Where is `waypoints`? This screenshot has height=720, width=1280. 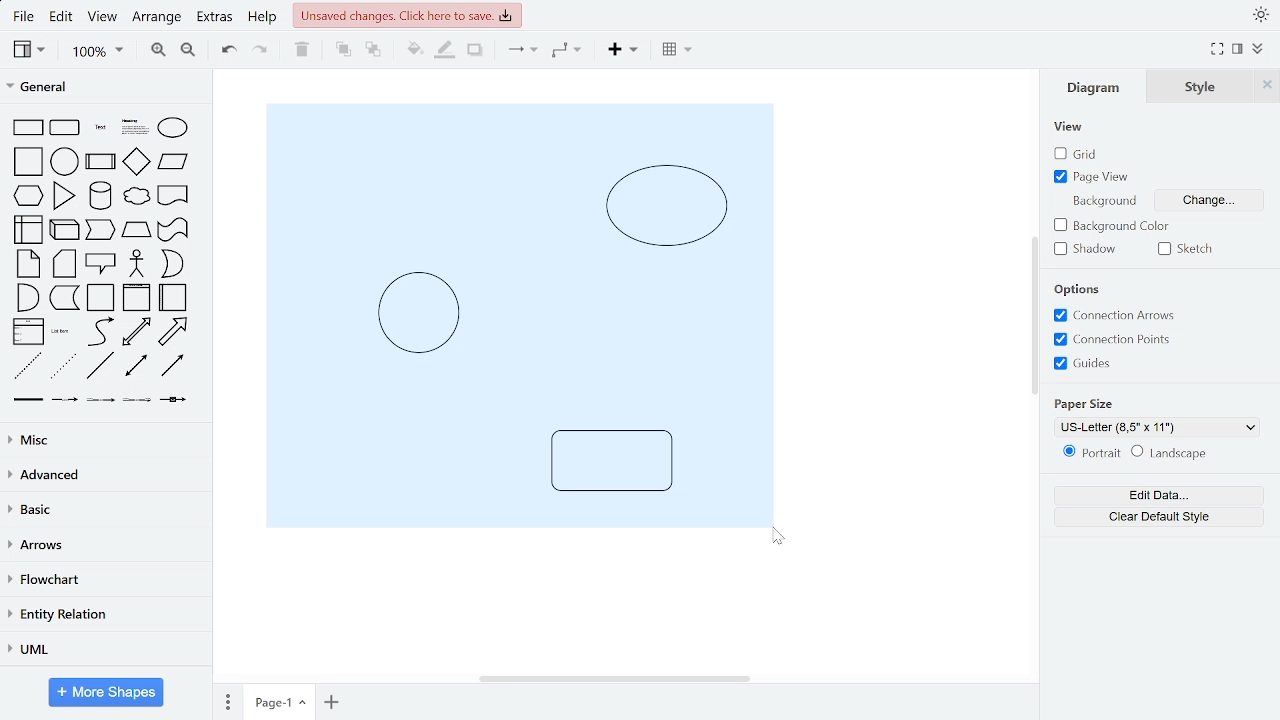
waypoints is located at coordinates (567, 52).